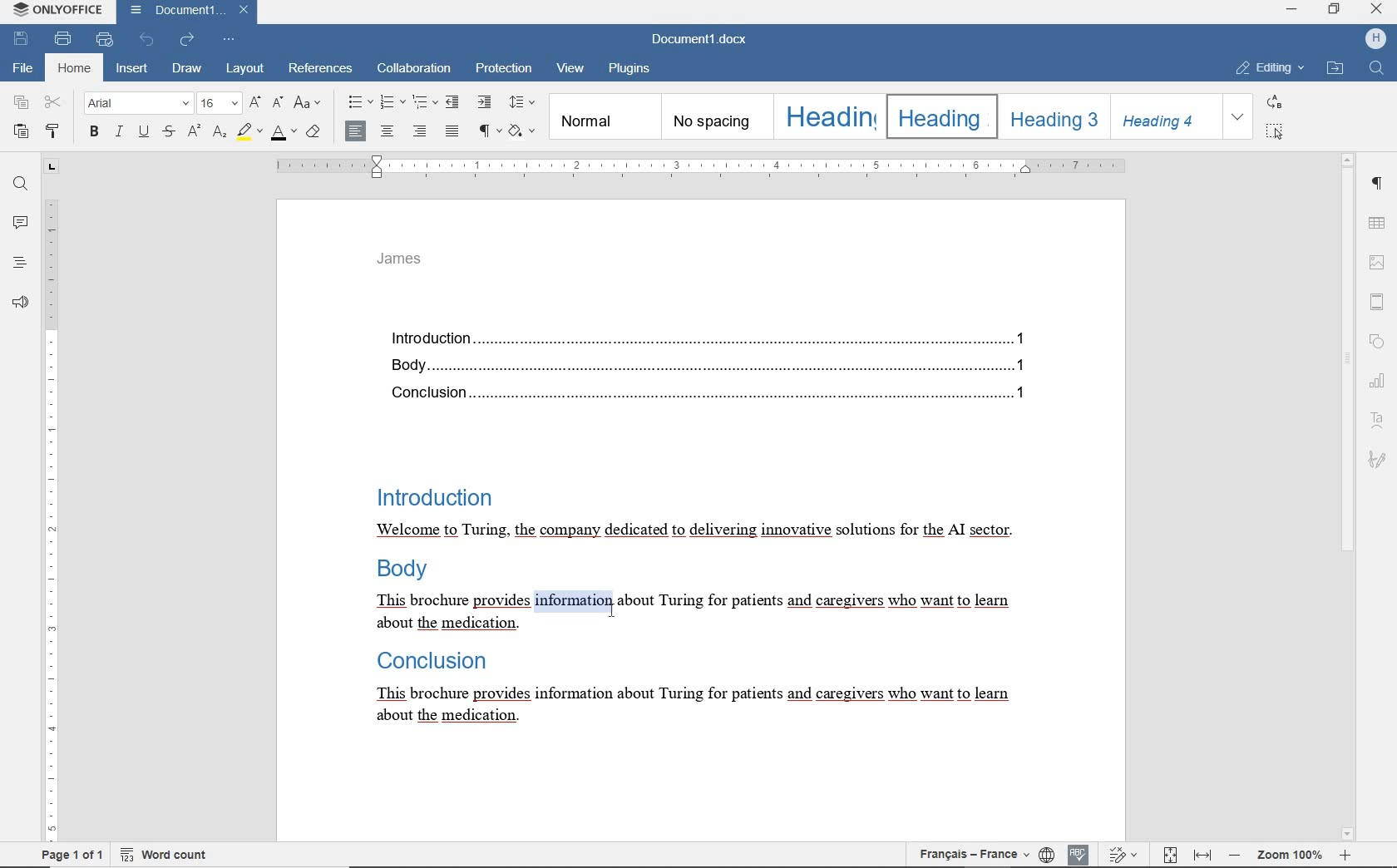 The height and width of the screenshot is (868, 1397). What do you see at coordinates (1046, 853) in the screenshot?
I see `SET DOCUMENT LANGUAGE` at bounding box center [1046, 853].